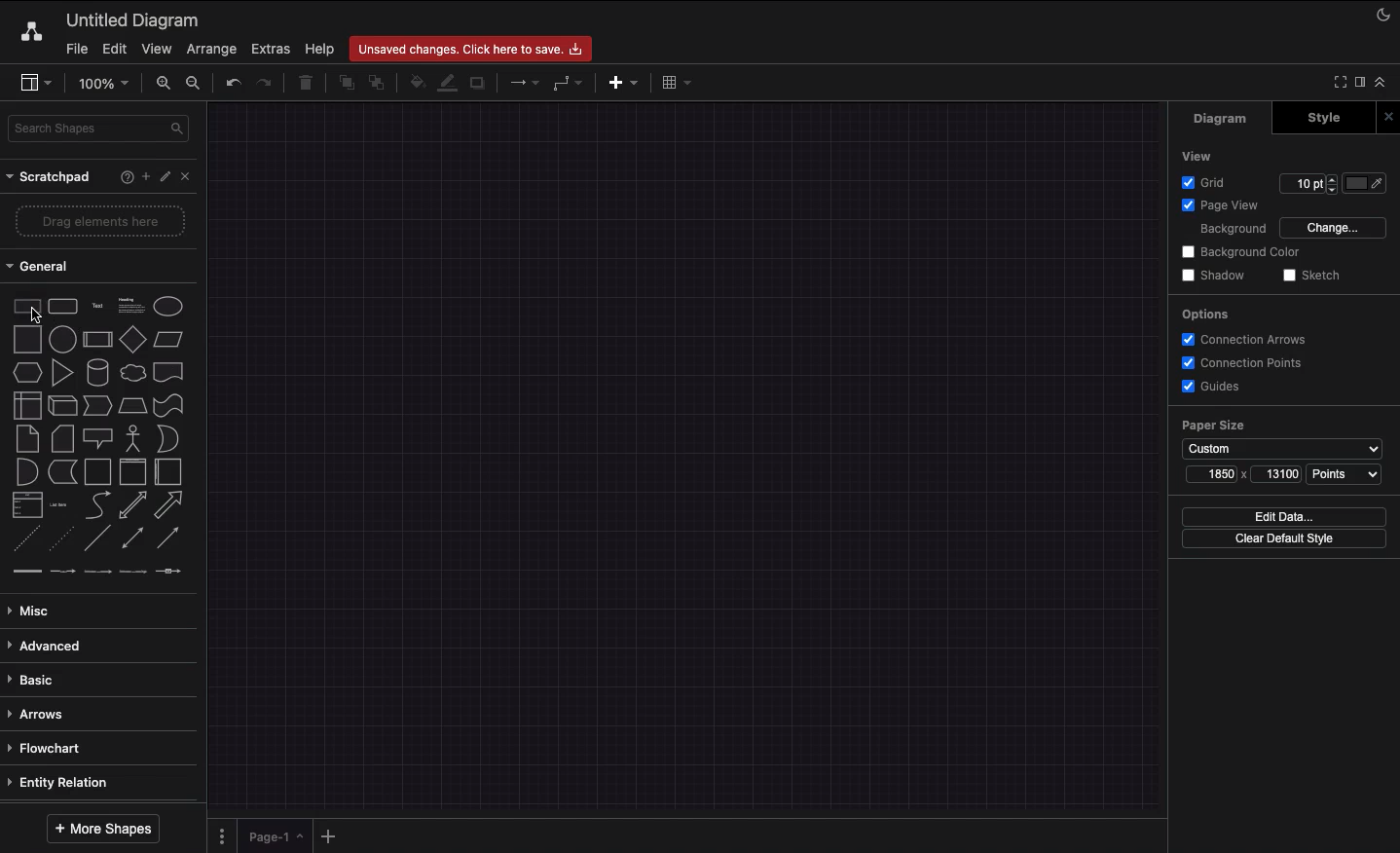  I want to click on Page 1, so click(276, 837).